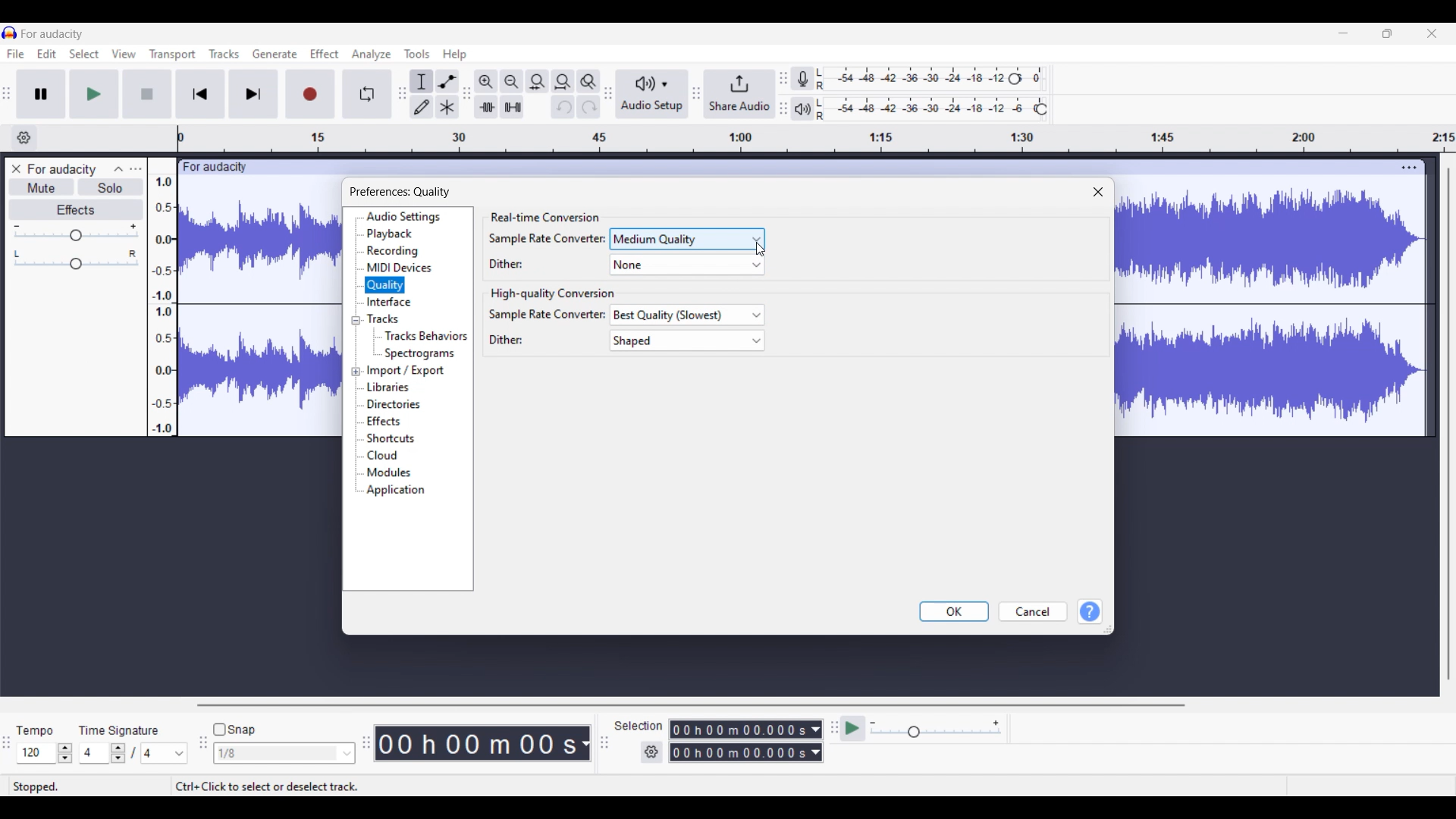 The height and width of the screenshot is (819, 1456). What do you see at coordinates (383, 455) in the screenshot?
I see `Cloud` at bounding box center [383, 455].